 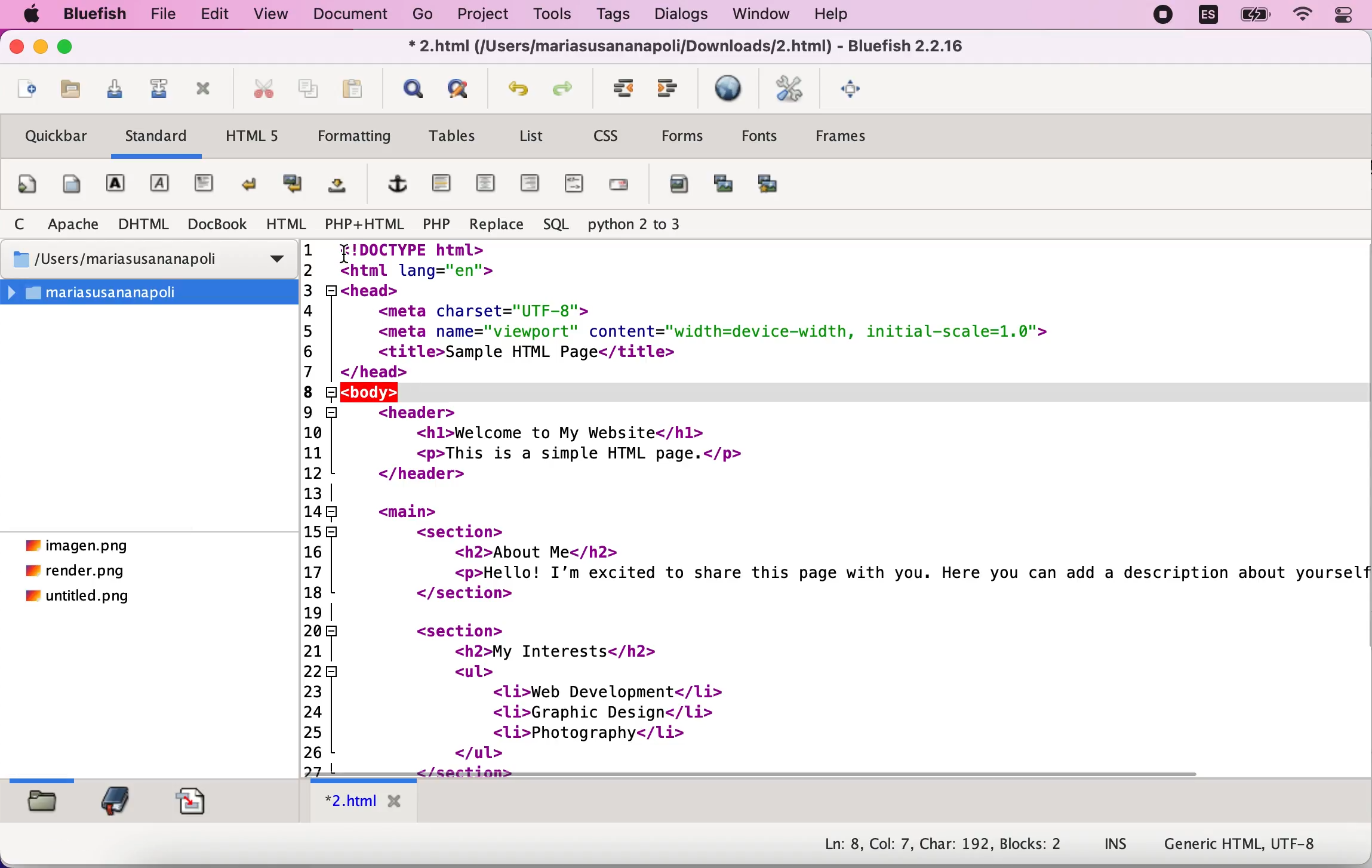 I want to click on php+html, so click(x=363, y=223).